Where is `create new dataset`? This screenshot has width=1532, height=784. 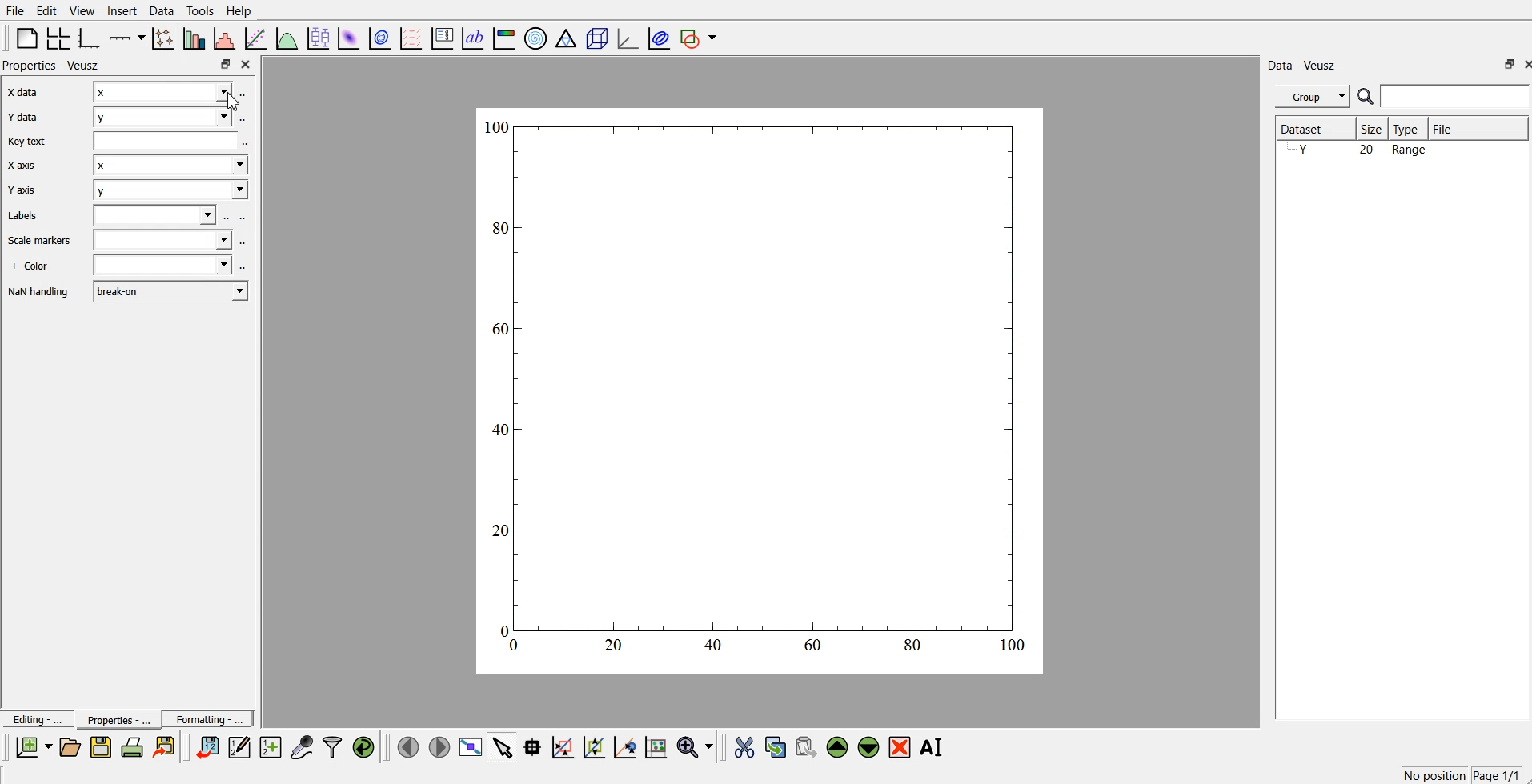
create new dataset is located at coordinates (270, 745).